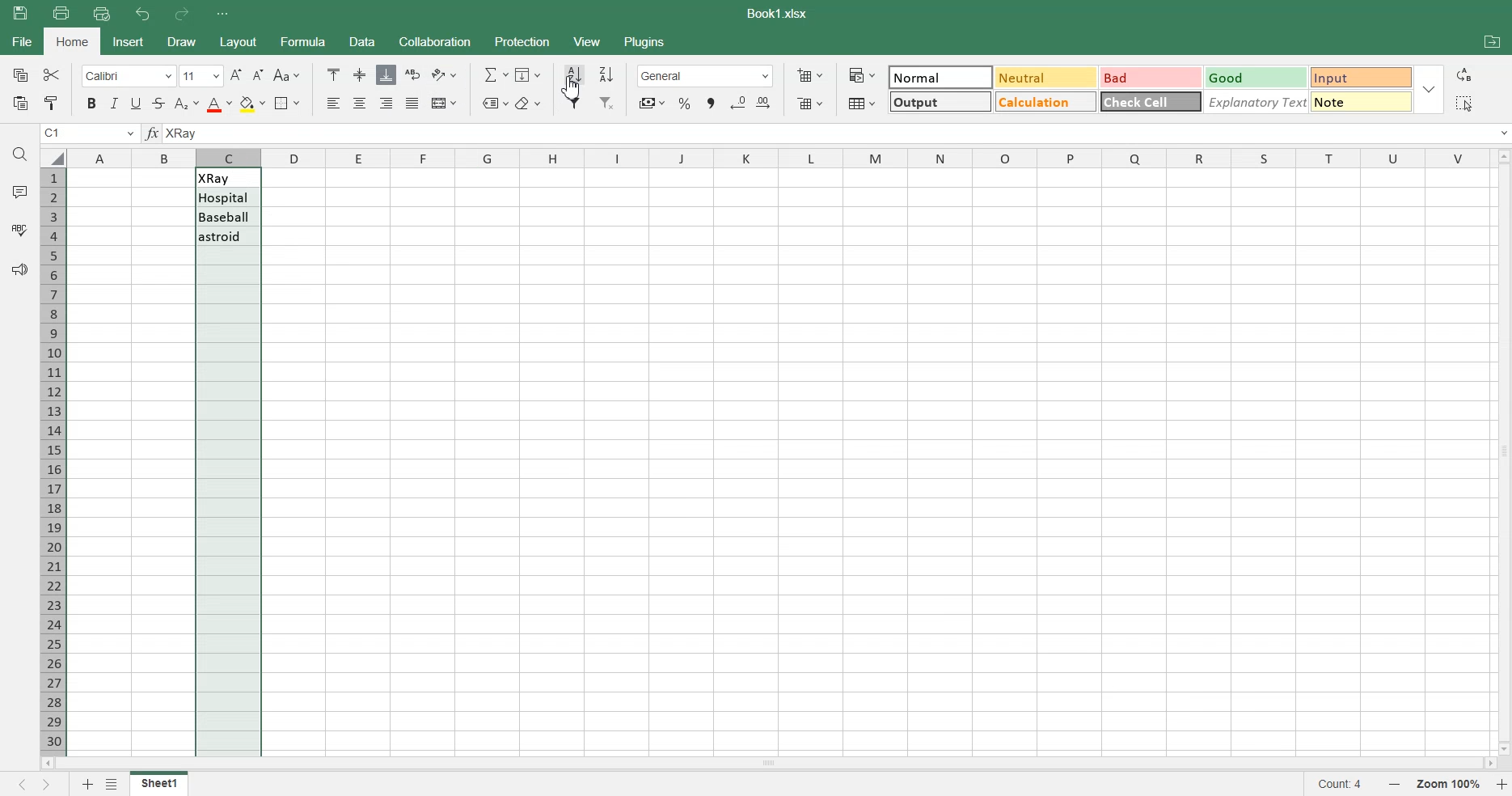  What do you see at coordinates (412, 74) in the screenshot?
I see `Wrap Text` at bounding box center [412, 74].